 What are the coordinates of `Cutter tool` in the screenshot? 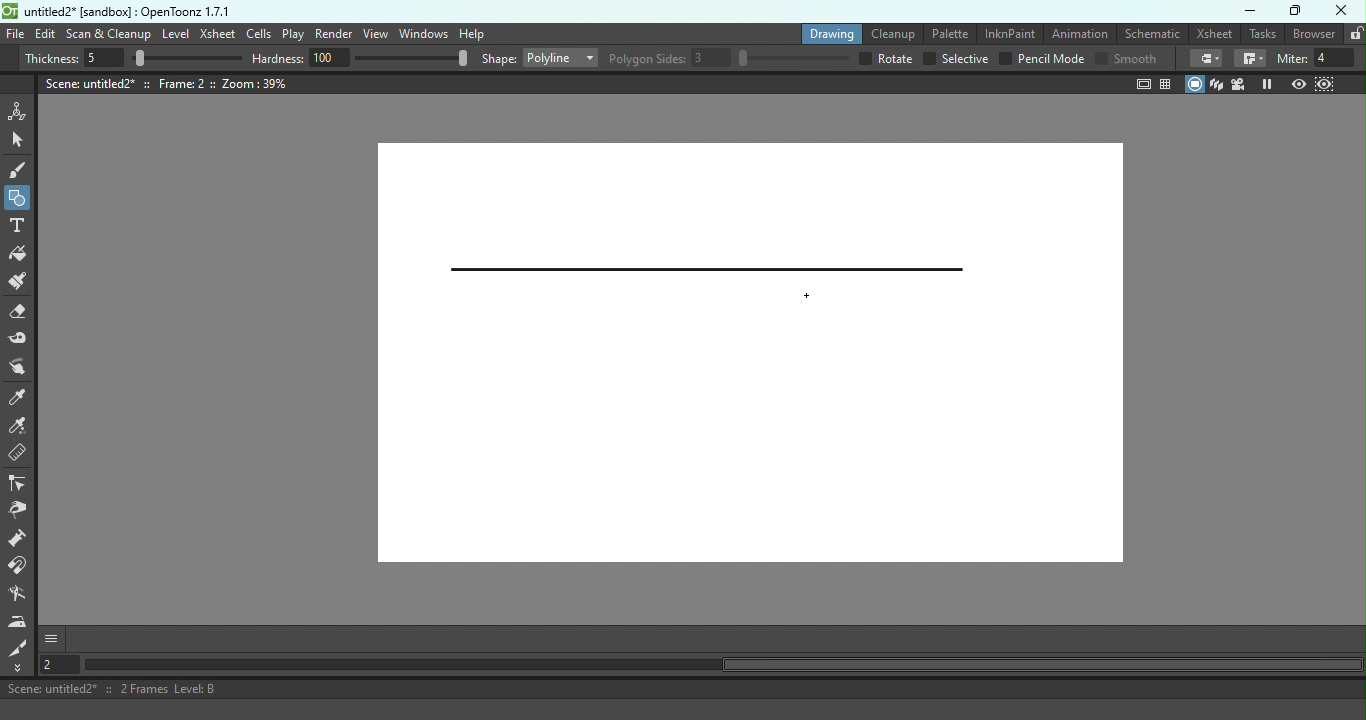 It's located at (21, 648).